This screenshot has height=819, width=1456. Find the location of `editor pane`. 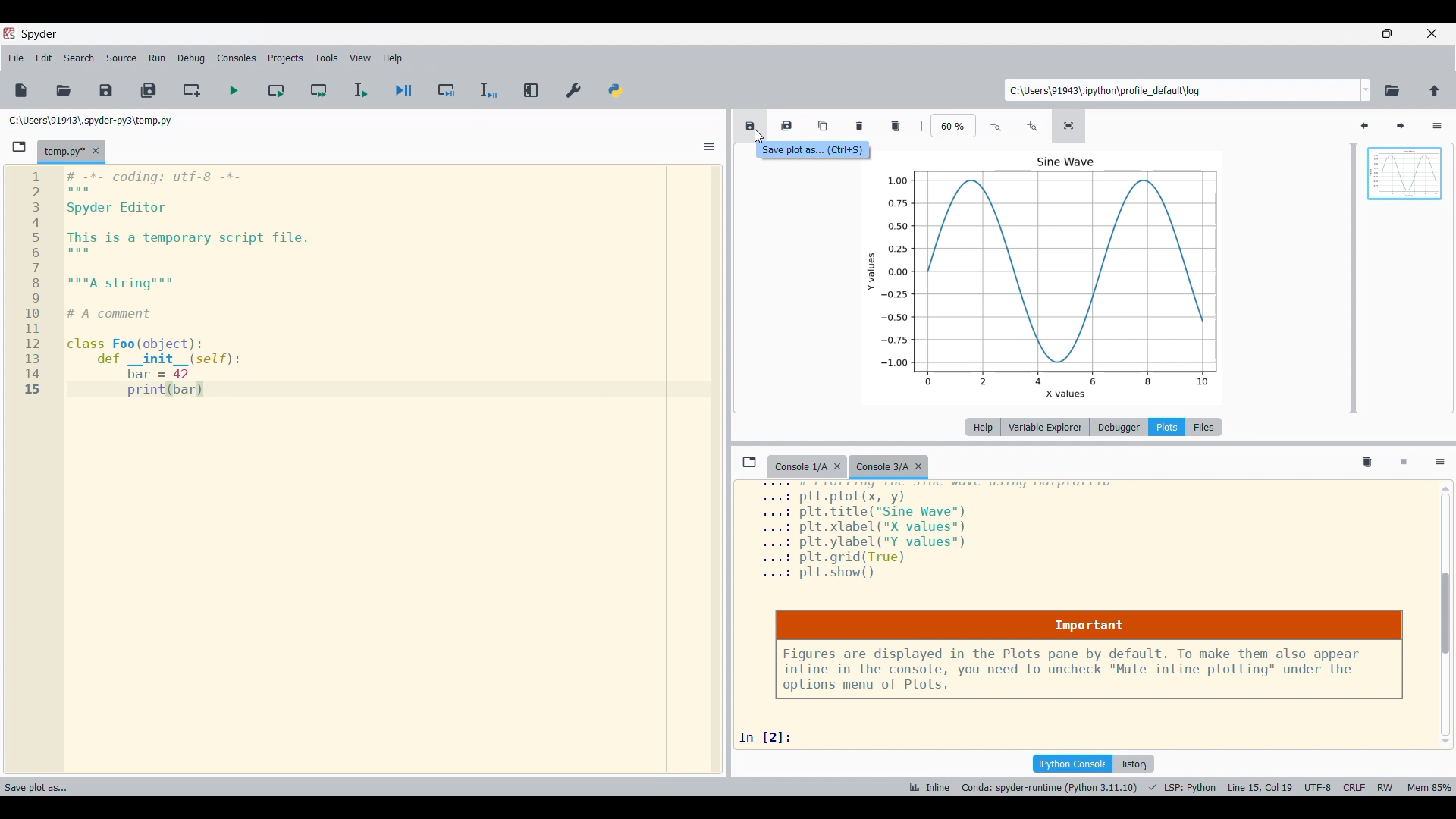

editor pane is located at coordinates (344, 284).